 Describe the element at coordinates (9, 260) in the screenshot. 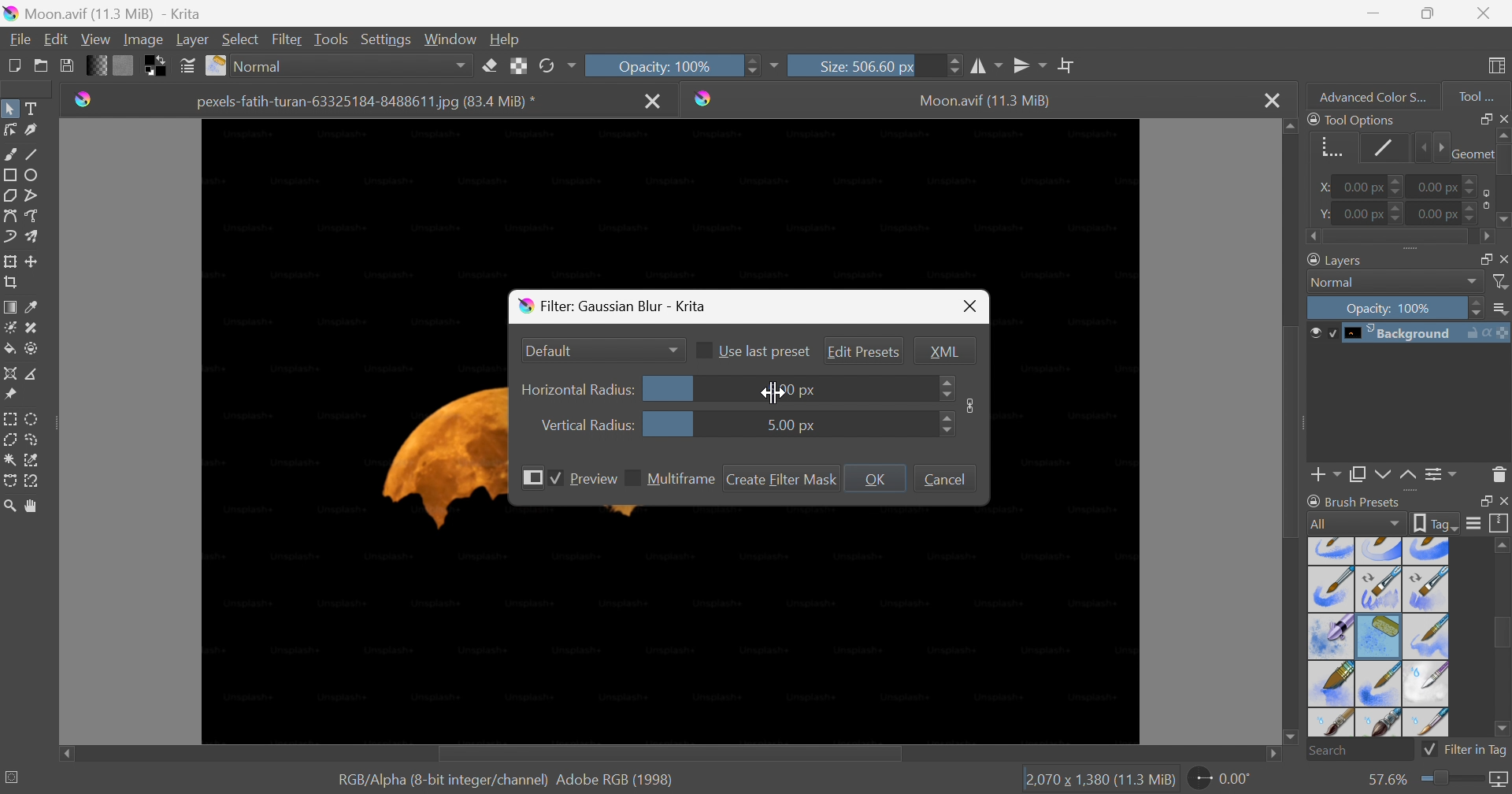

I see `Transform a layer or a selection` at that location.